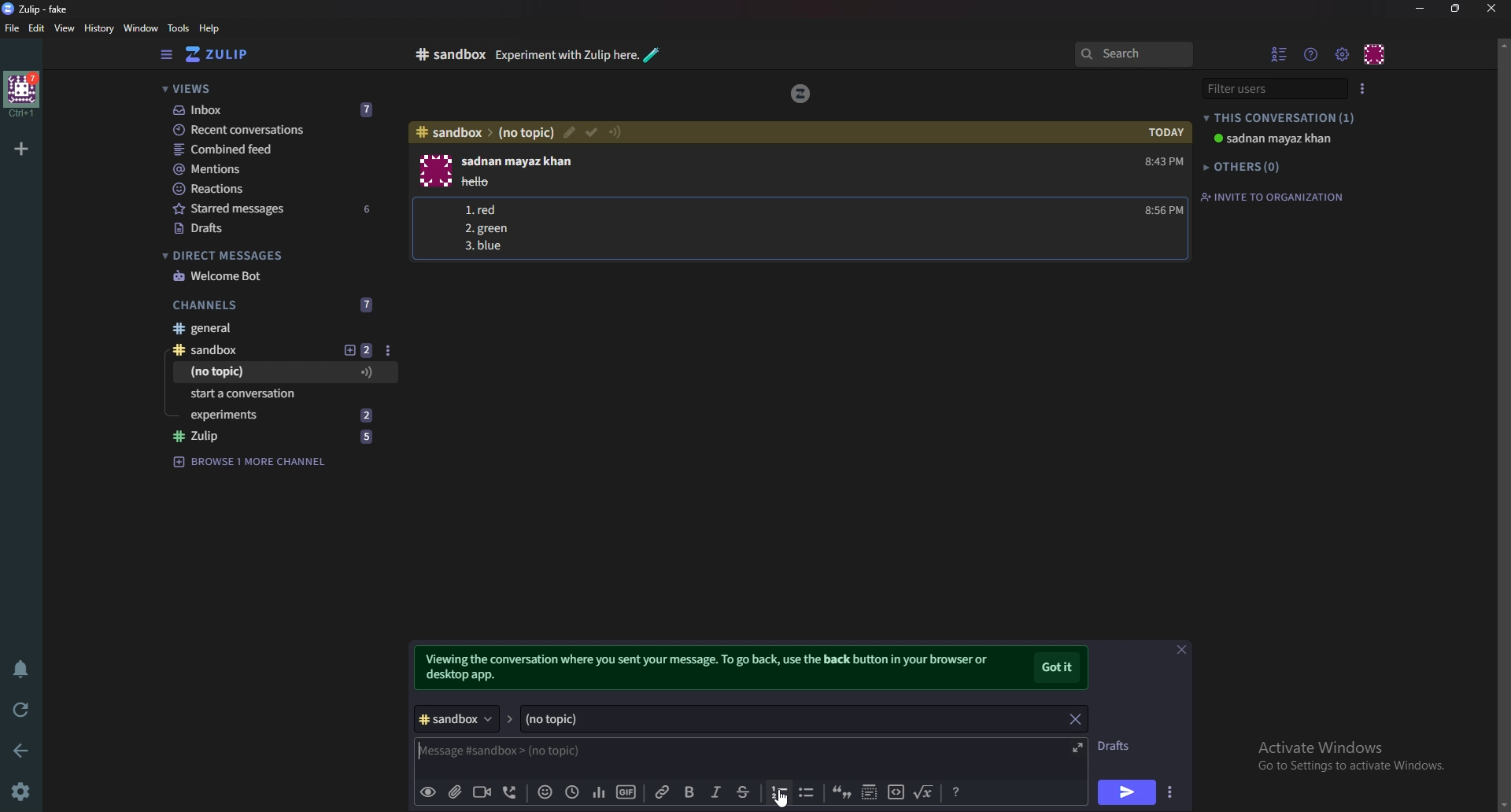 This screenshot has width=1511, height=812. I want to click on Reload, so click(24, 708).